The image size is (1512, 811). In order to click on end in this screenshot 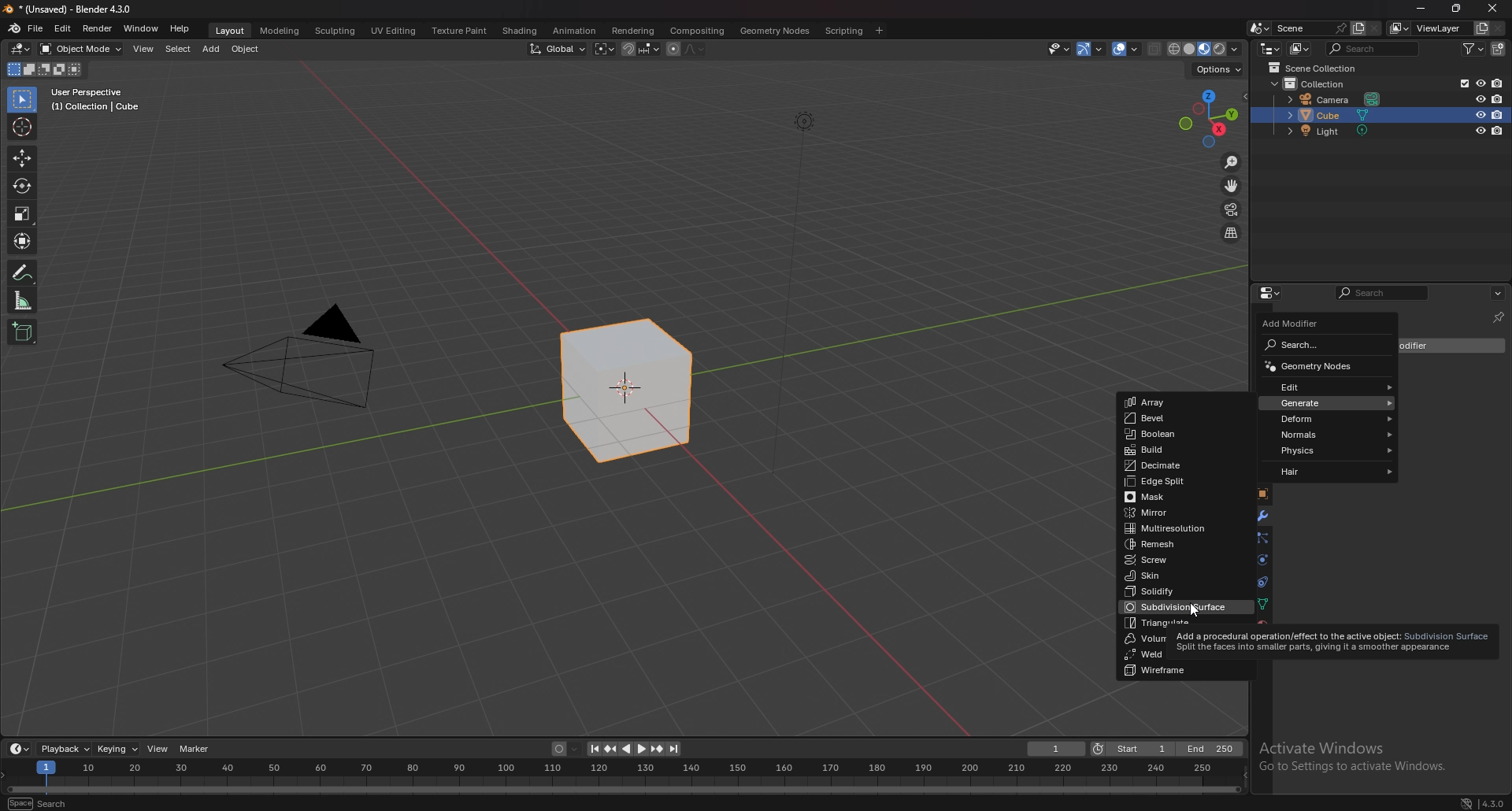, I will do `click(1212, 748)`.